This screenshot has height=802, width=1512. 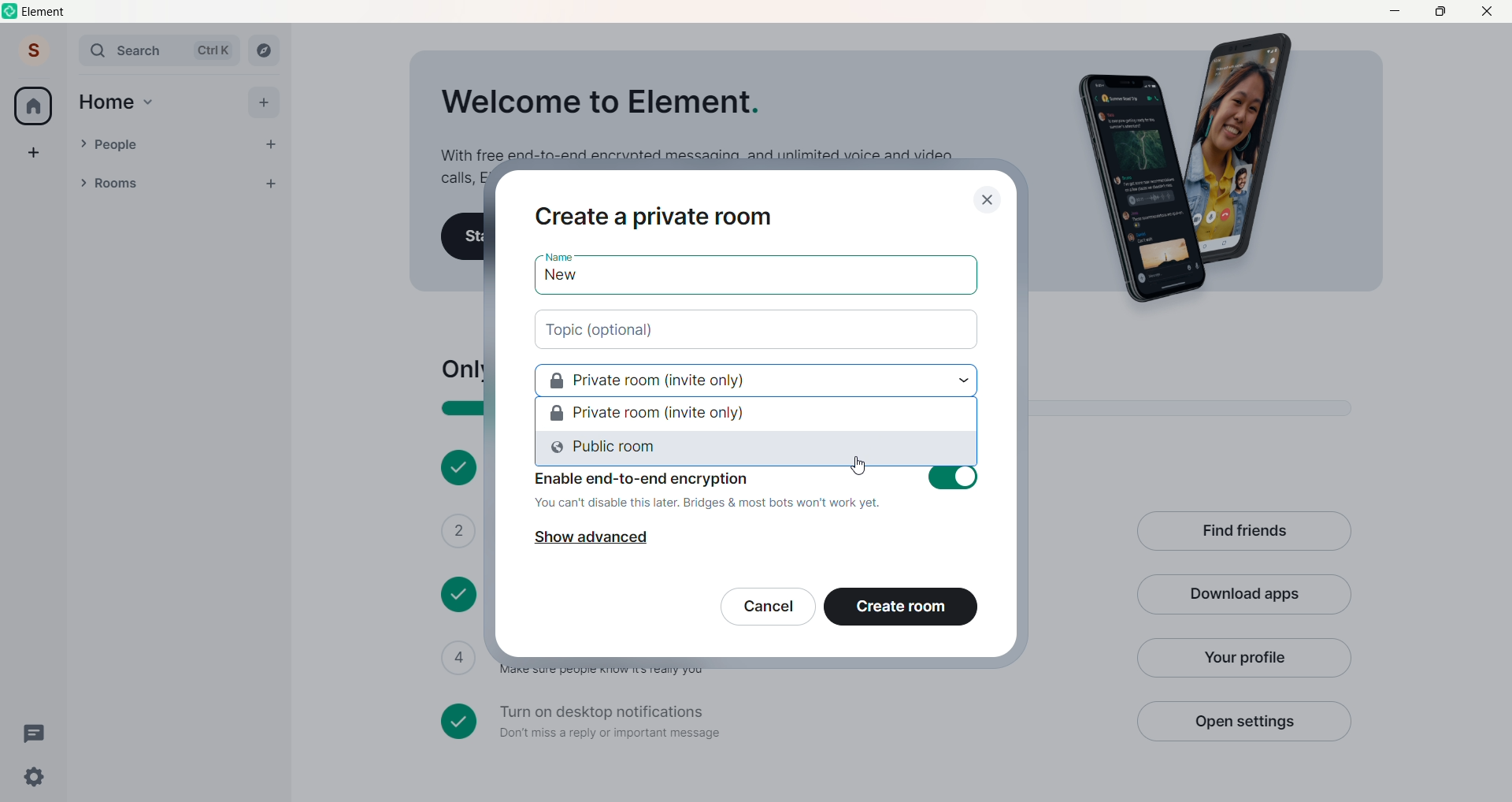 What do you see at coordinates (263, 102) in the screenshot?
I see `Add` at bounding box center [263, 102].